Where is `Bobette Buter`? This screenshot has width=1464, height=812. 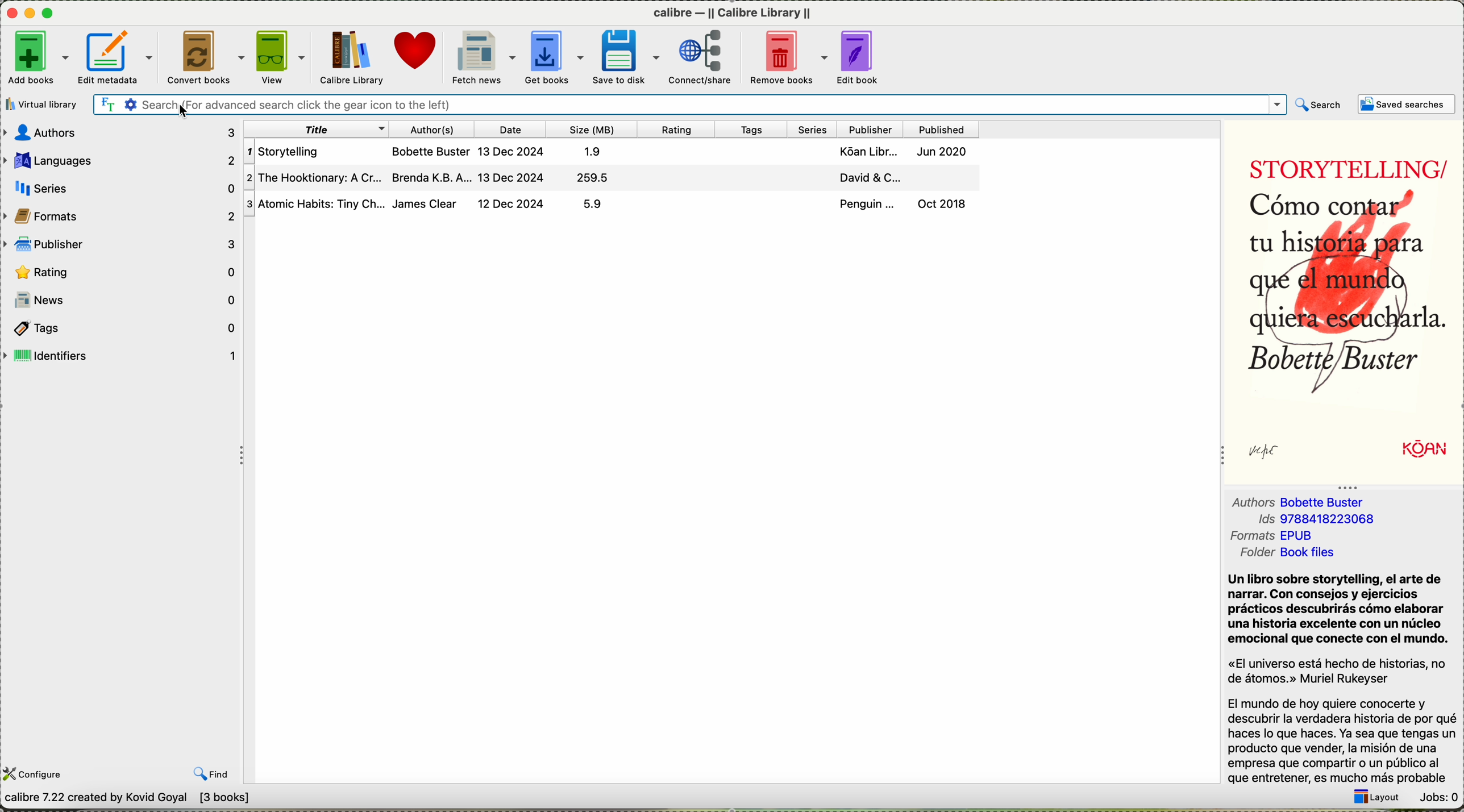 Bobette Buter is located at coordinates (431, 150).